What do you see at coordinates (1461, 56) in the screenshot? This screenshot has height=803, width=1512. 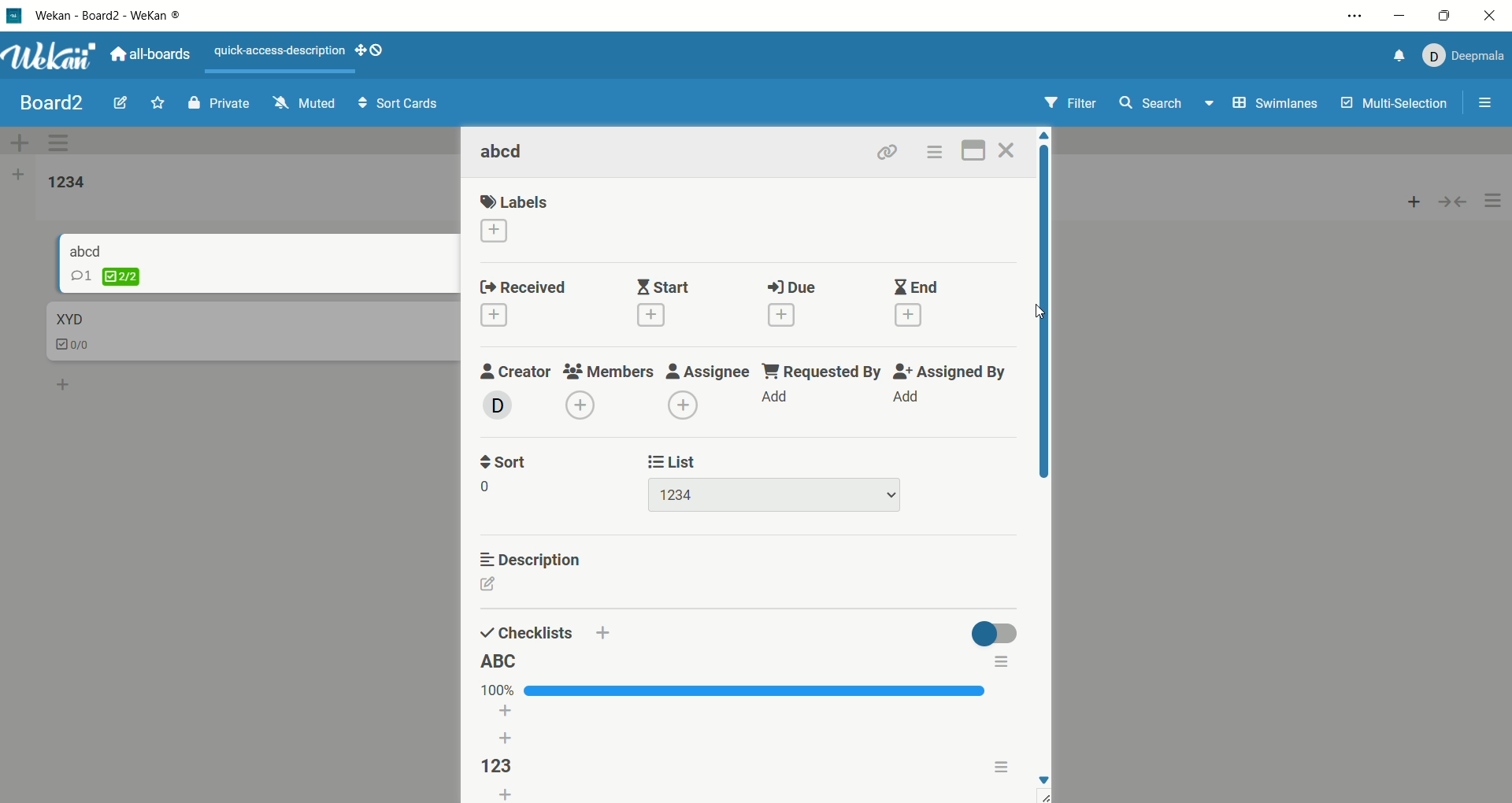 I see `account` at bounding box center [1461, 56].